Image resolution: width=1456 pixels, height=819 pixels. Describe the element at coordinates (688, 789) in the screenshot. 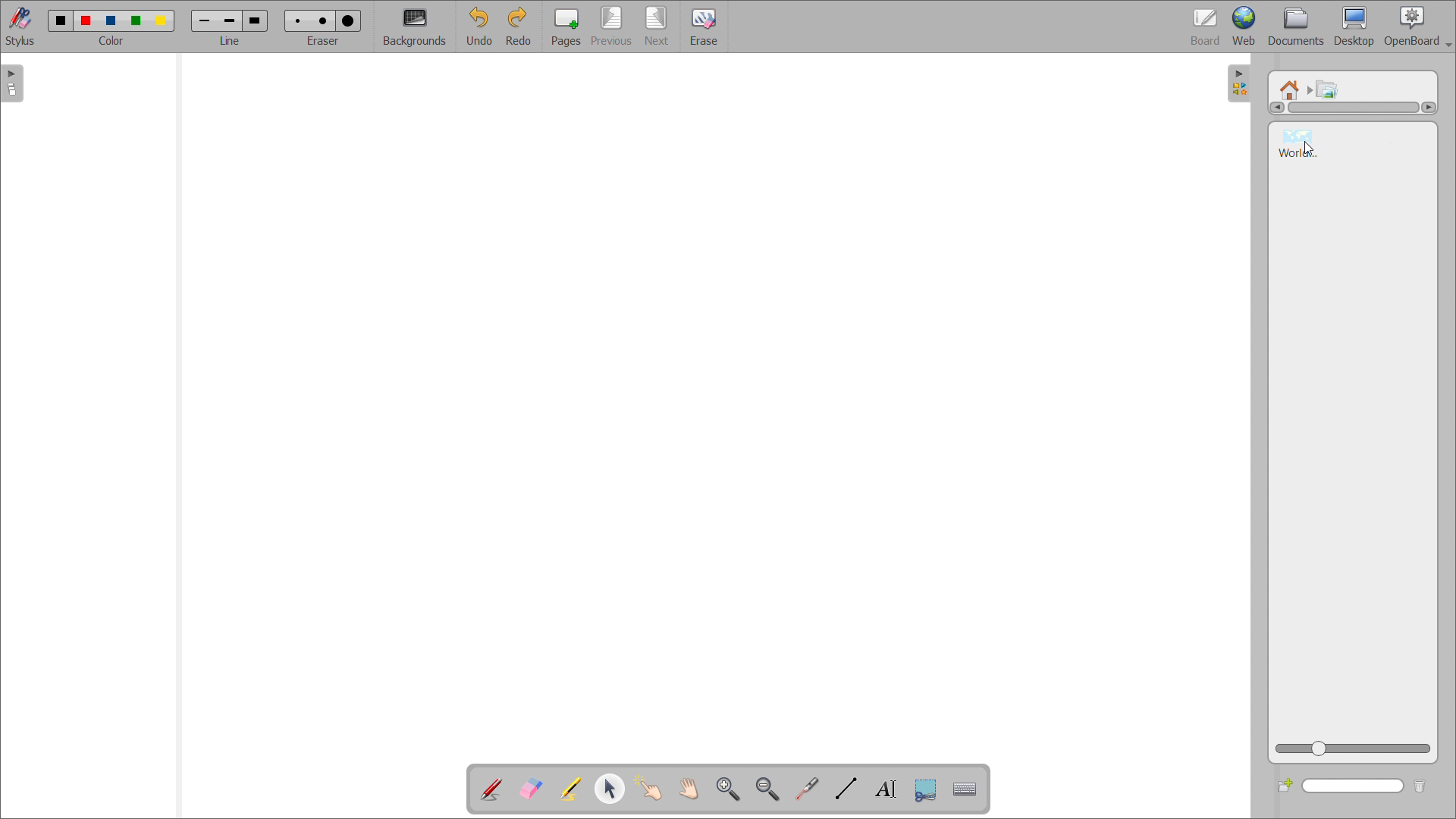

I see `scroll page` at that location.